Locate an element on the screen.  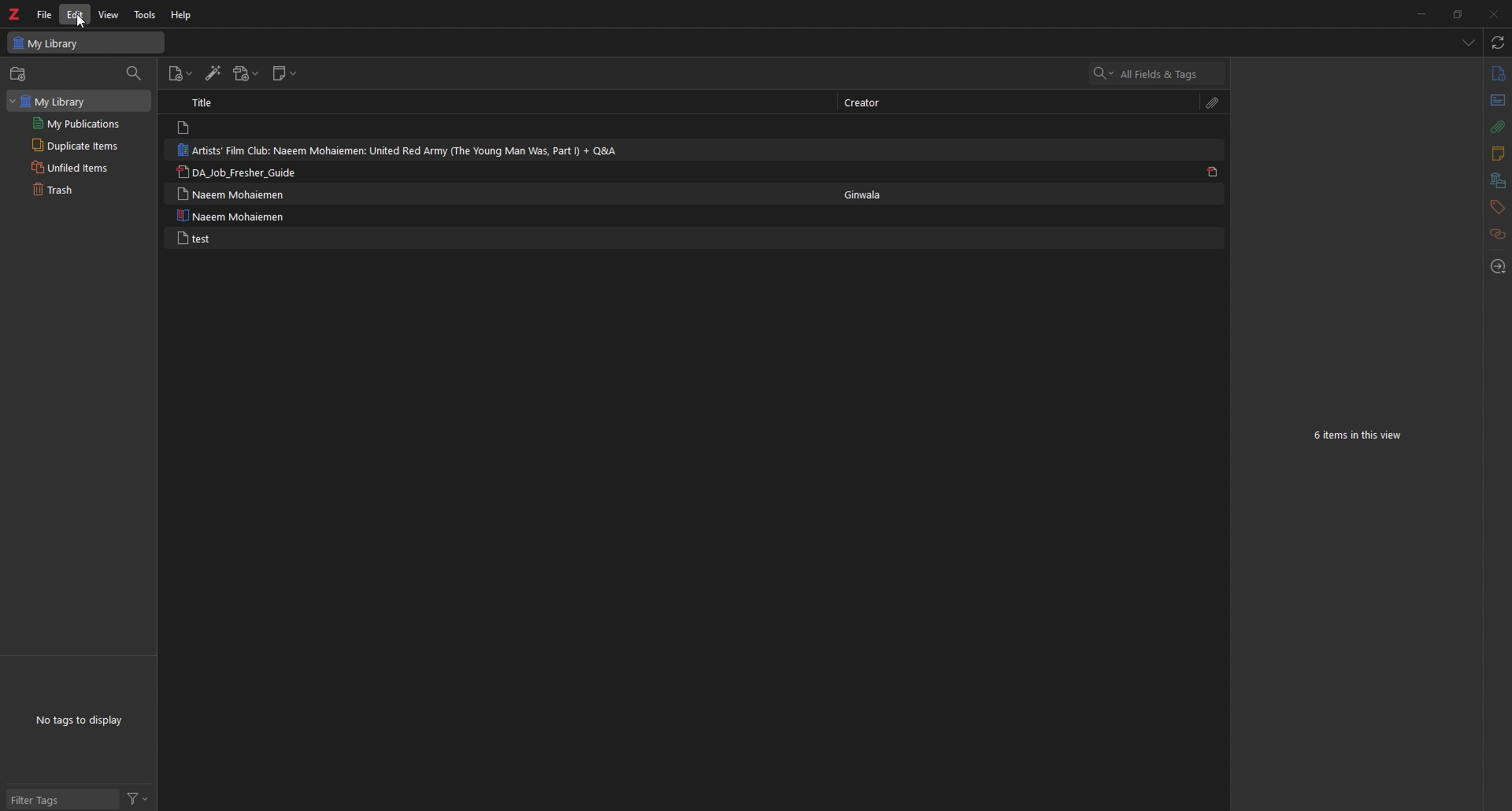
close is located at coordinates (1492, 13).